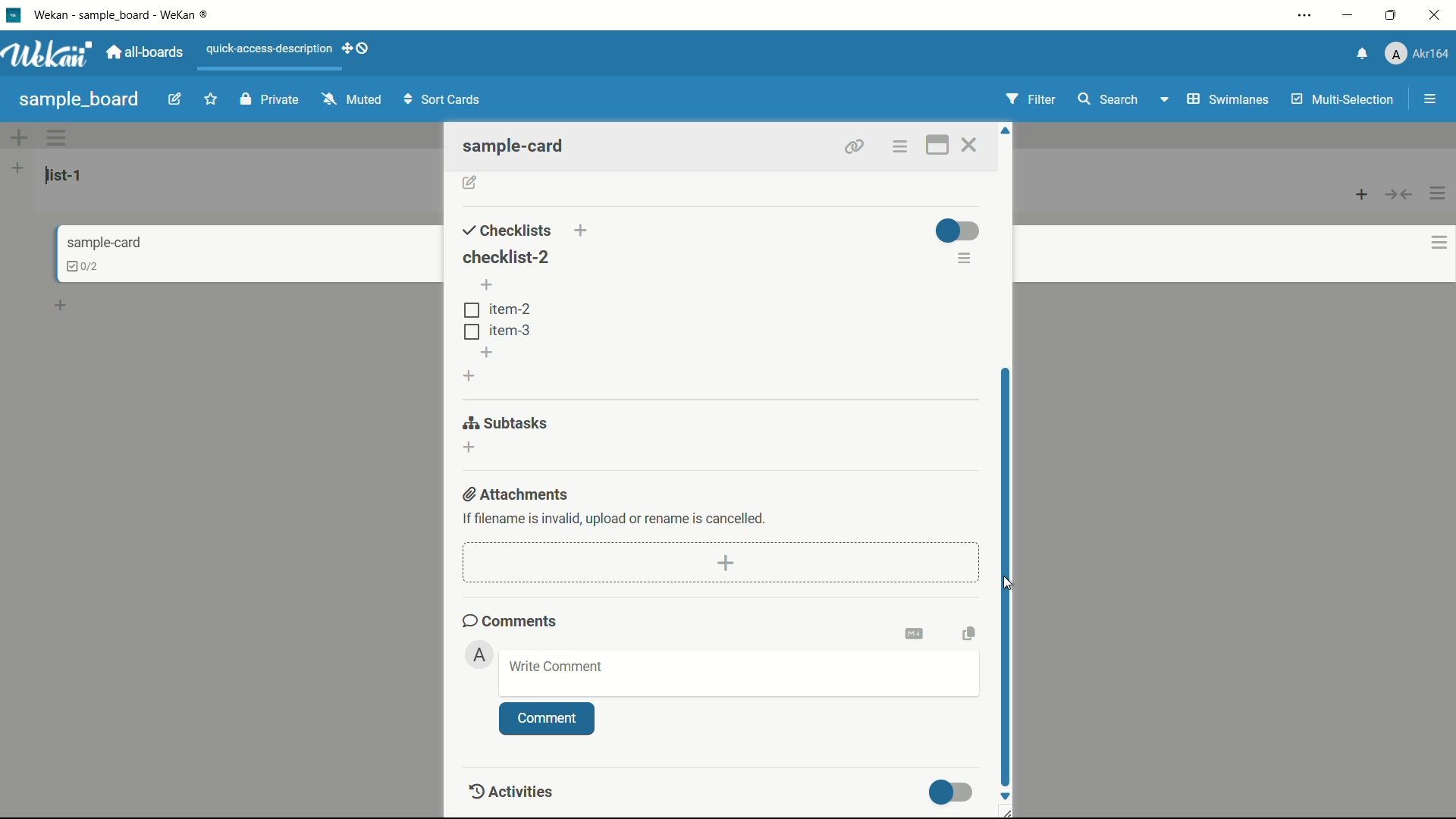 This screenshot has width=1456, height=819. What do you see at coordinates (1436, 15) in the screenshot?
I see `close app` at bounding box center [1436, 15].